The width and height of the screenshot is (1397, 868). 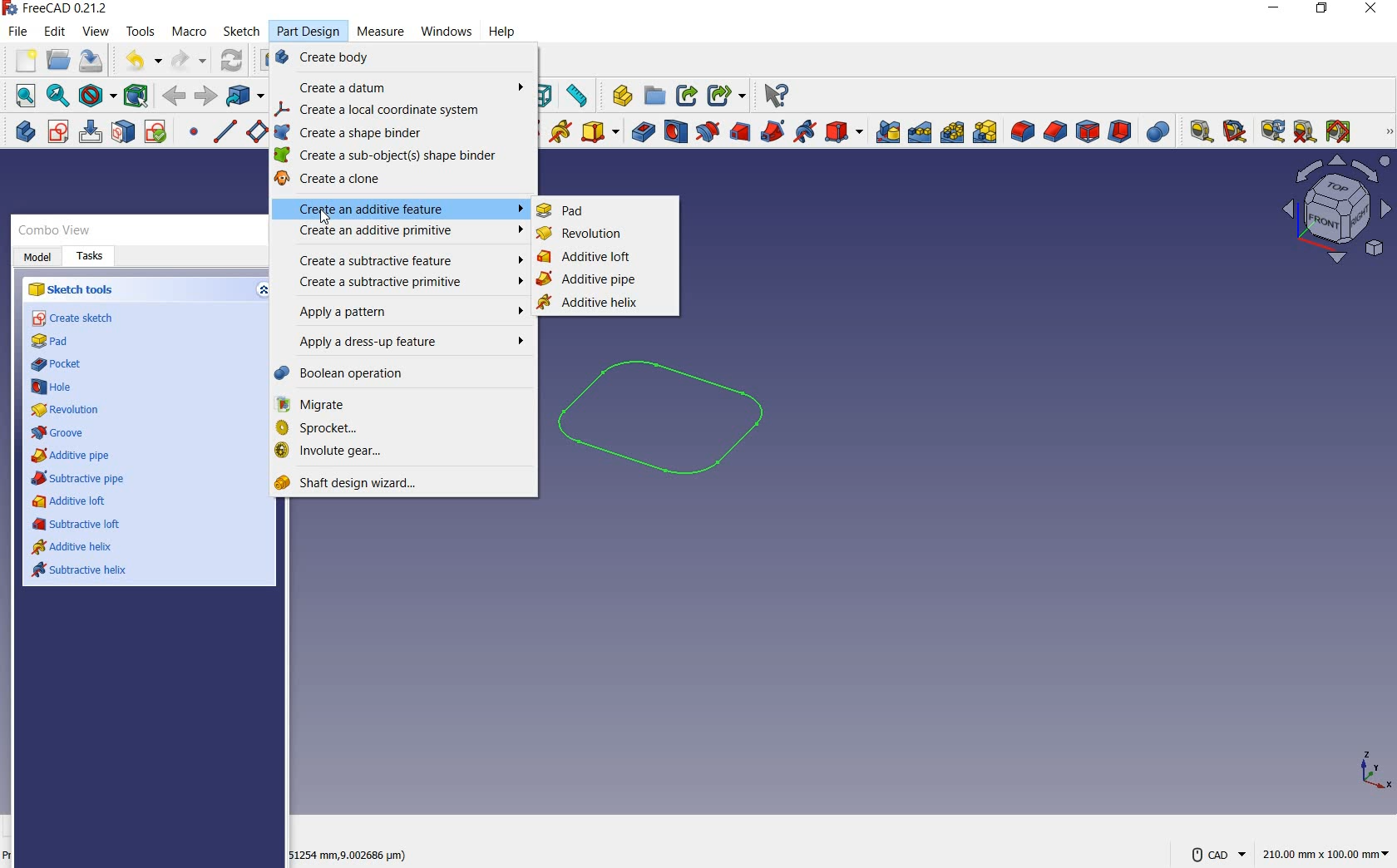 What do you see at coordinates (406, 281) in the screenshot?
I see `create a subtractive primitive` at bounding box center [406, 281].